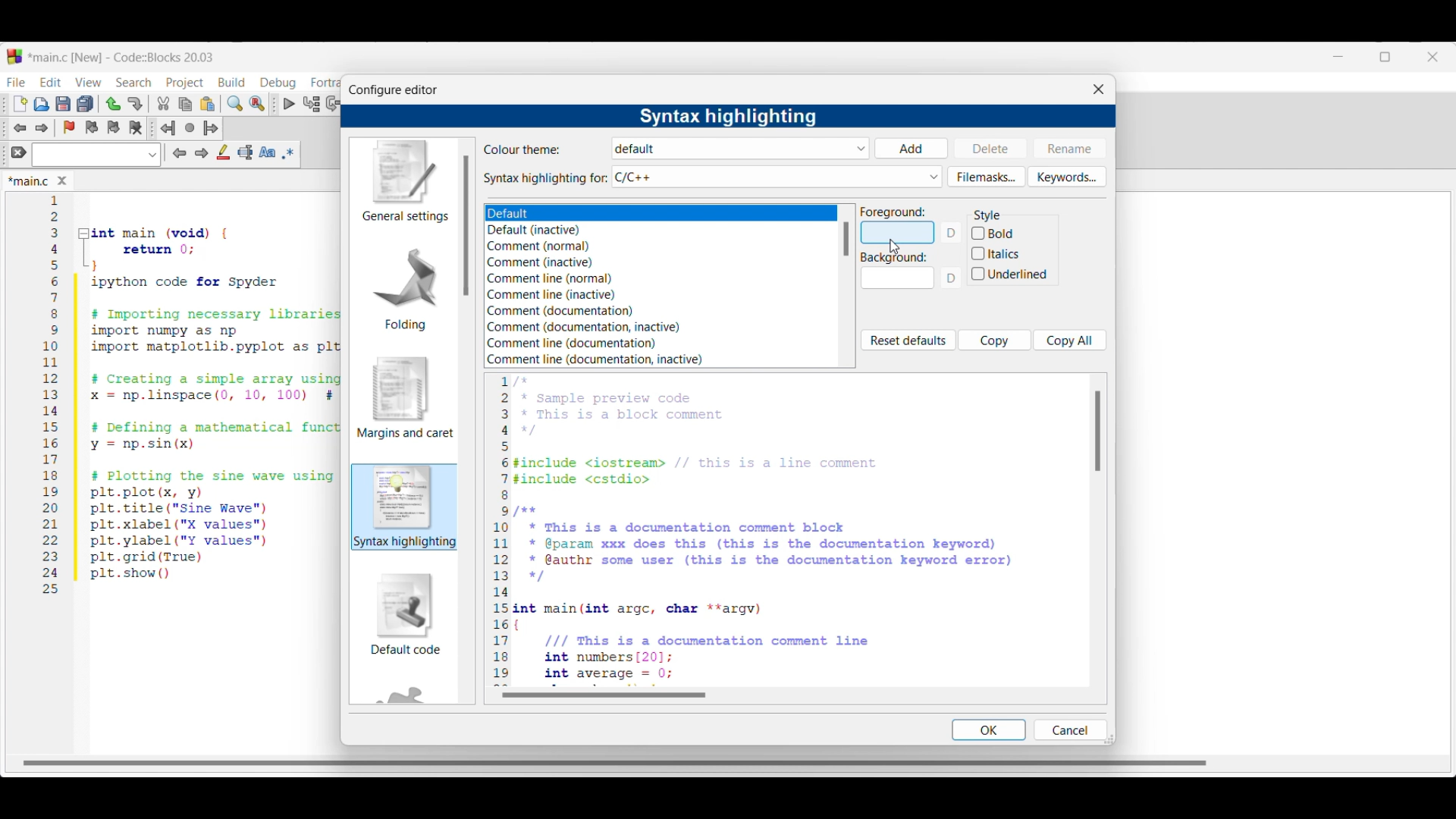 The height and width of the screenshot is (819, 1456). What do you see at coordinates (890, 245) in the screenshot?
I see `cursor` at bounding box center [890, 245].